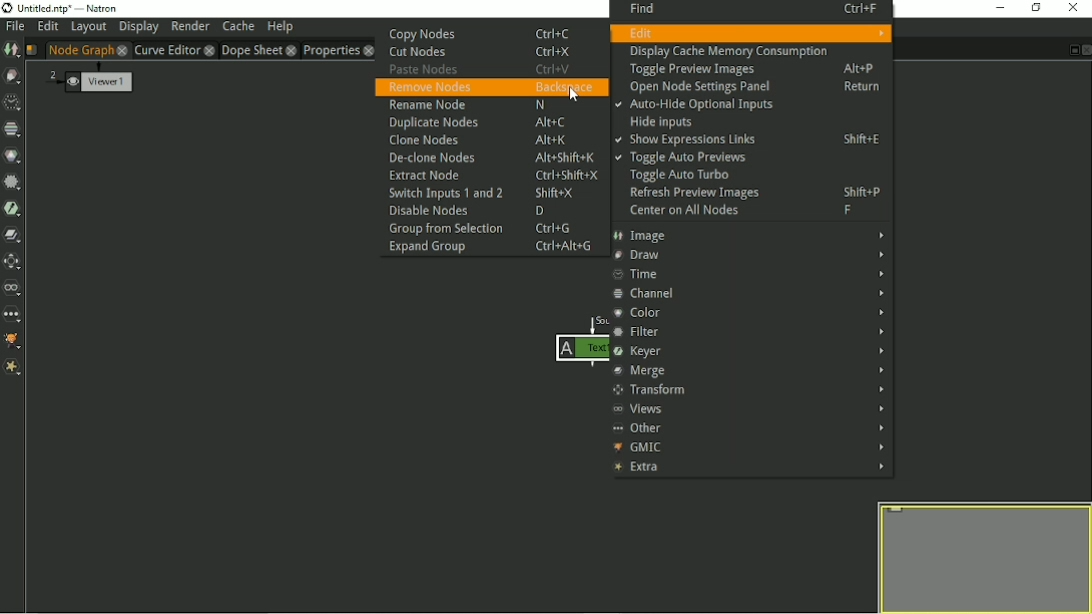 The height and width of the screenshot is (614, 1092). What do you see at coordinates (11, 50) in the screenshot?
I see `Image` at bounding box center [11, 50].